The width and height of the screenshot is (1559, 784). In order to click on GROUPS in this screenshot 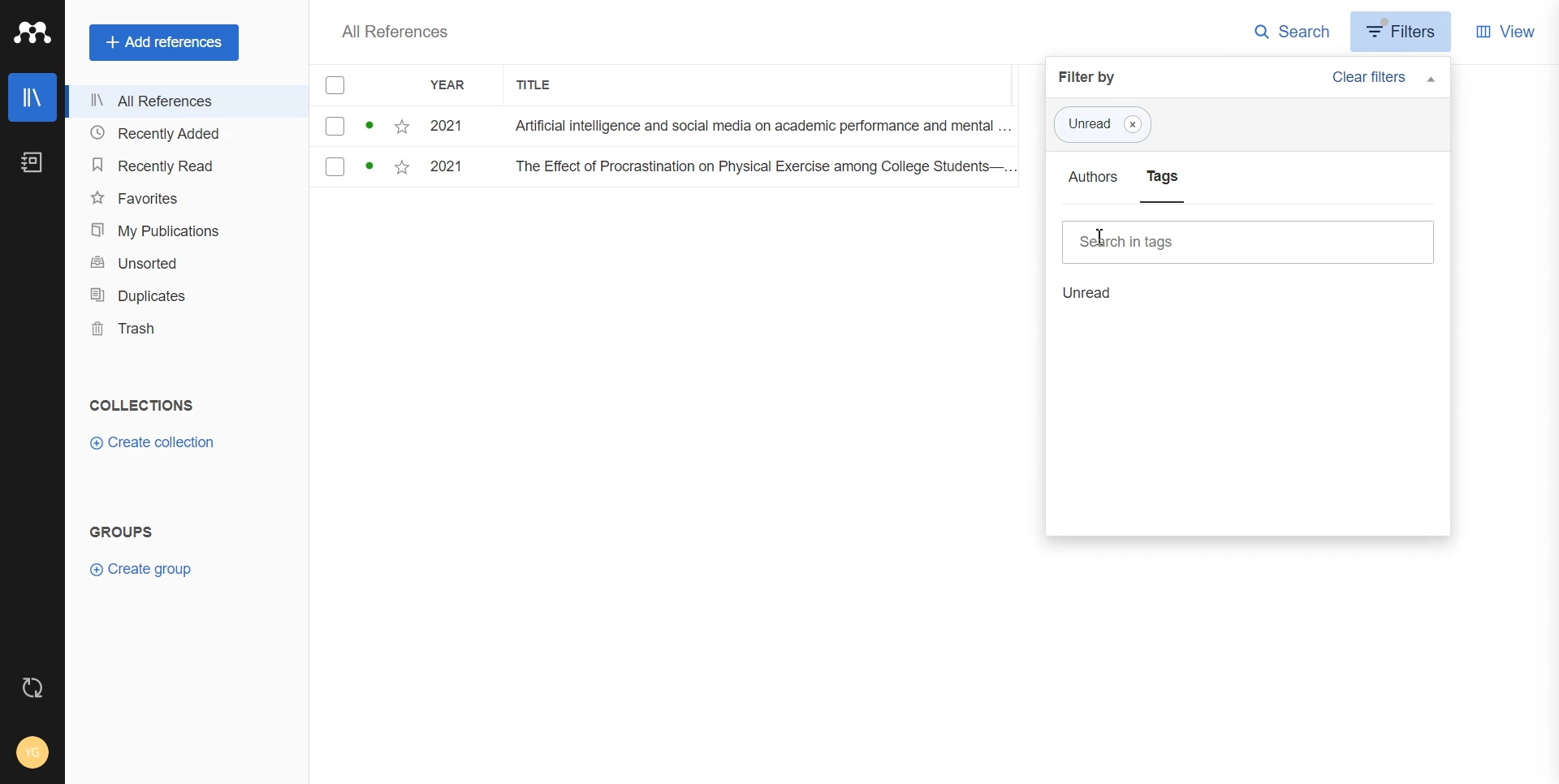, I will do `click(120, 530)`.